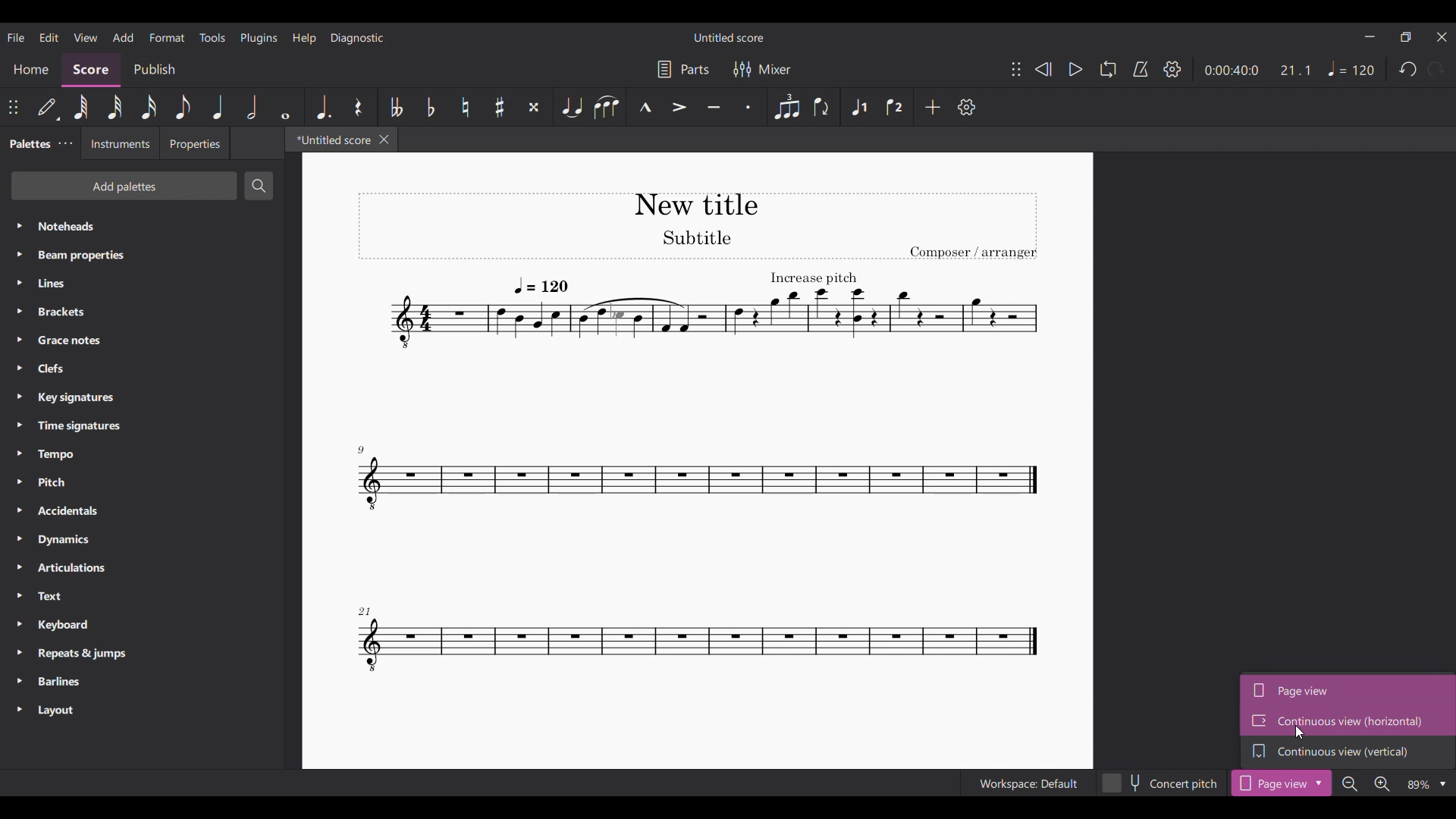 The width and height of the screenshot is (1456, 819). Describe the element at coordinates (329, 140) in the screenshot. I see `*Untitled score, current tab` at that location.